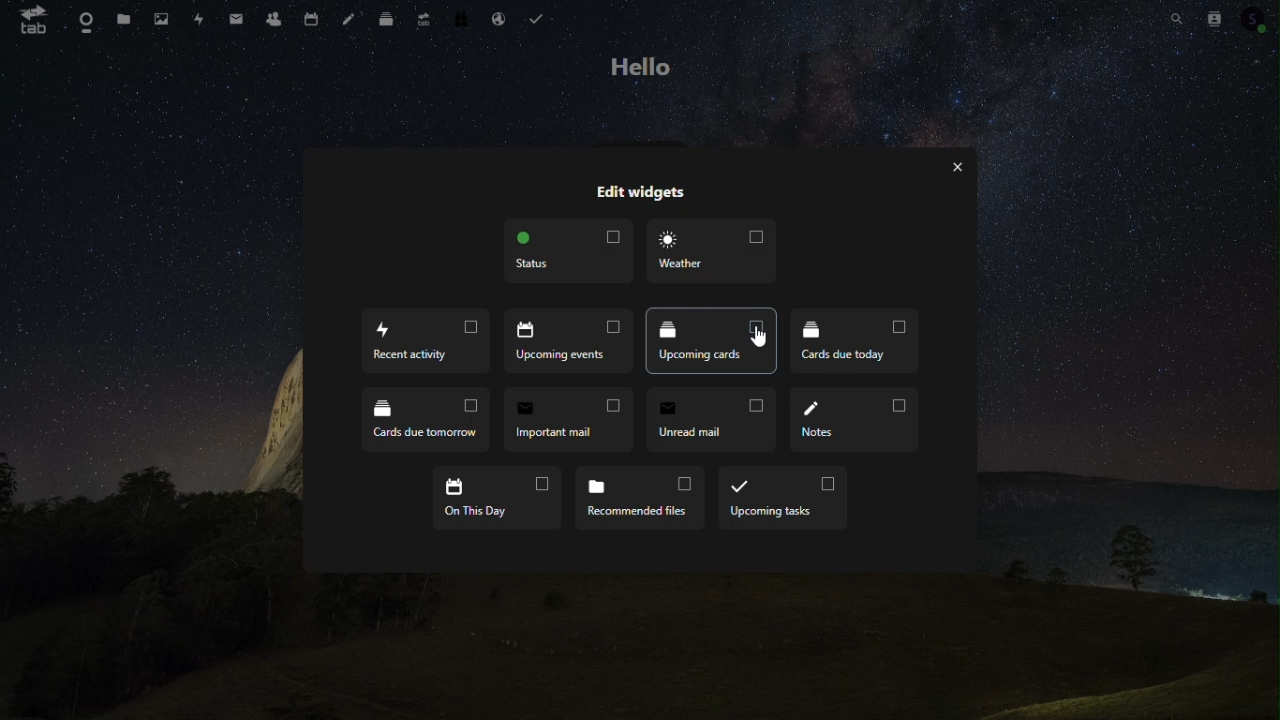  What do you see at coordinates (497, 497) in the screenshot?
I see `On this day` at bounding box center [497, 497].